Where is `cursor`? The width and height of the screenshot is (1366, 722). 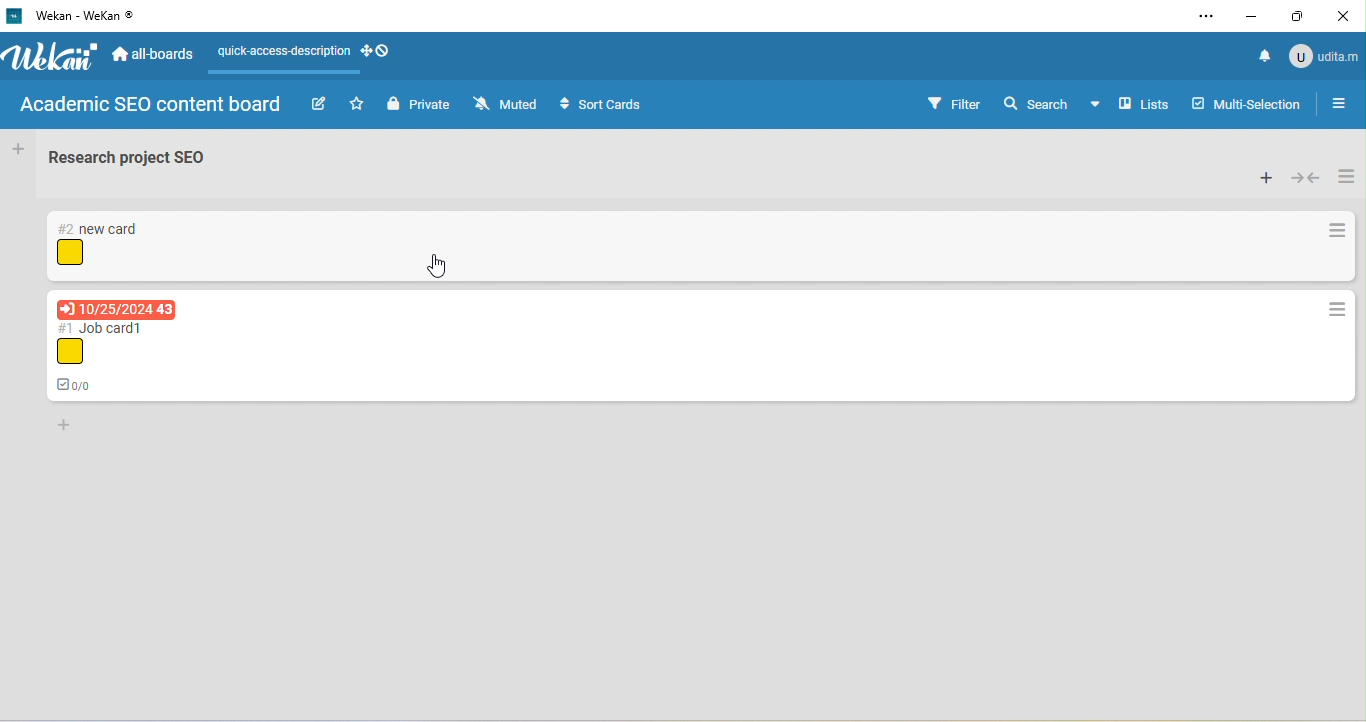 cursor is located at coordinates (438, 265).